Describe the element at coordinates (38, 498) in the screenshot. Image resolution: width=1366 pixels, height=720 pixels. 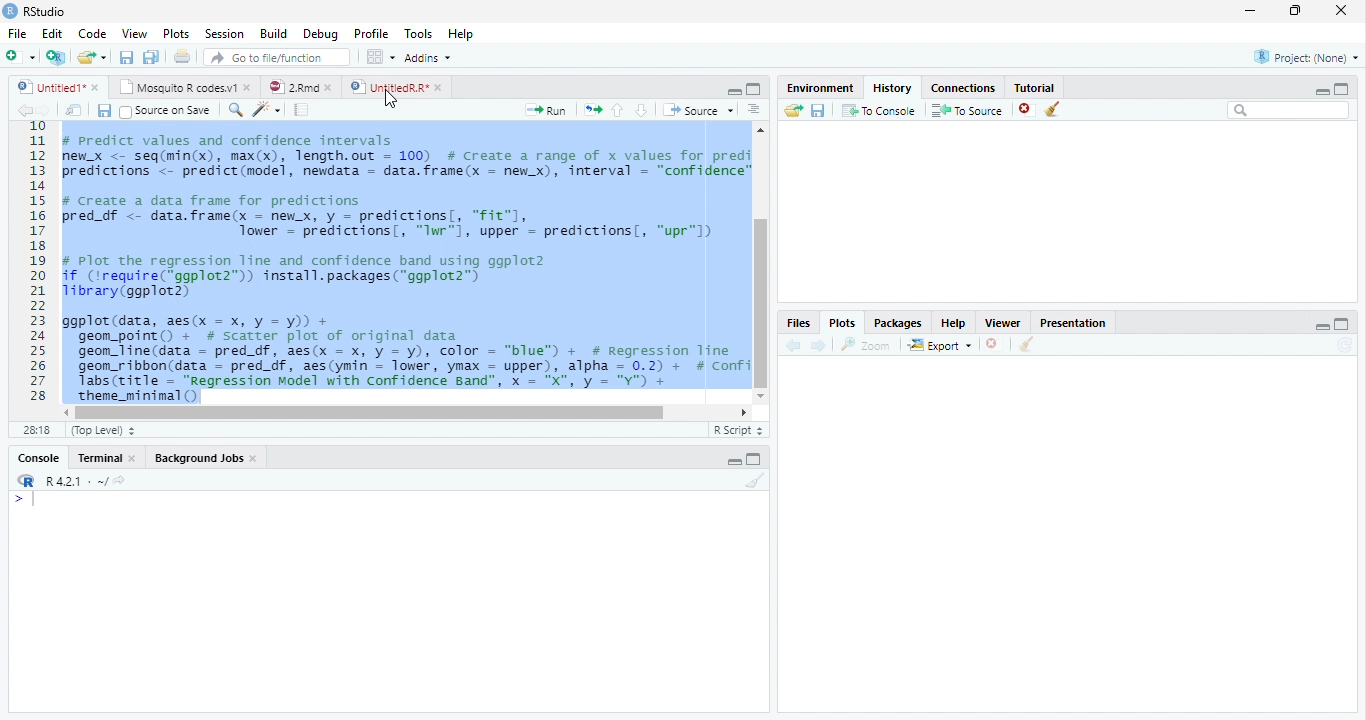
I see `Cursor` at that location.